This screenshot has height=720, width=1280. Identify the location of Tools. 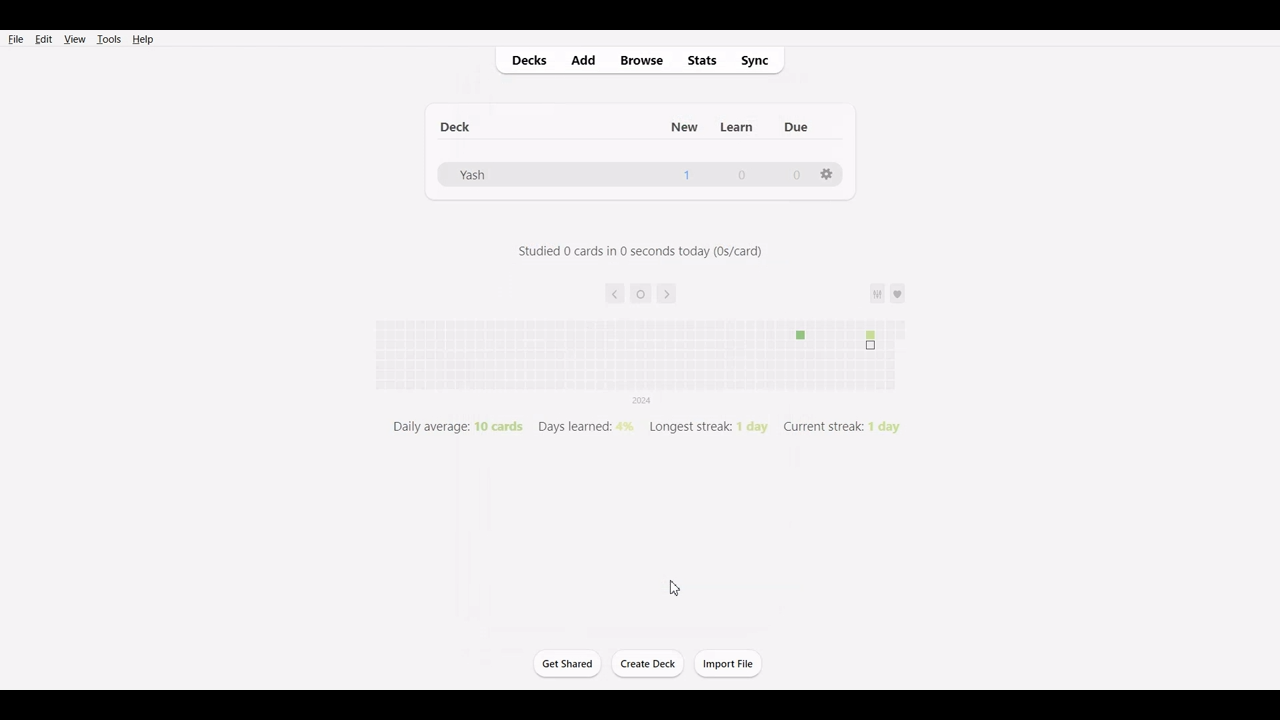
(108, 39).